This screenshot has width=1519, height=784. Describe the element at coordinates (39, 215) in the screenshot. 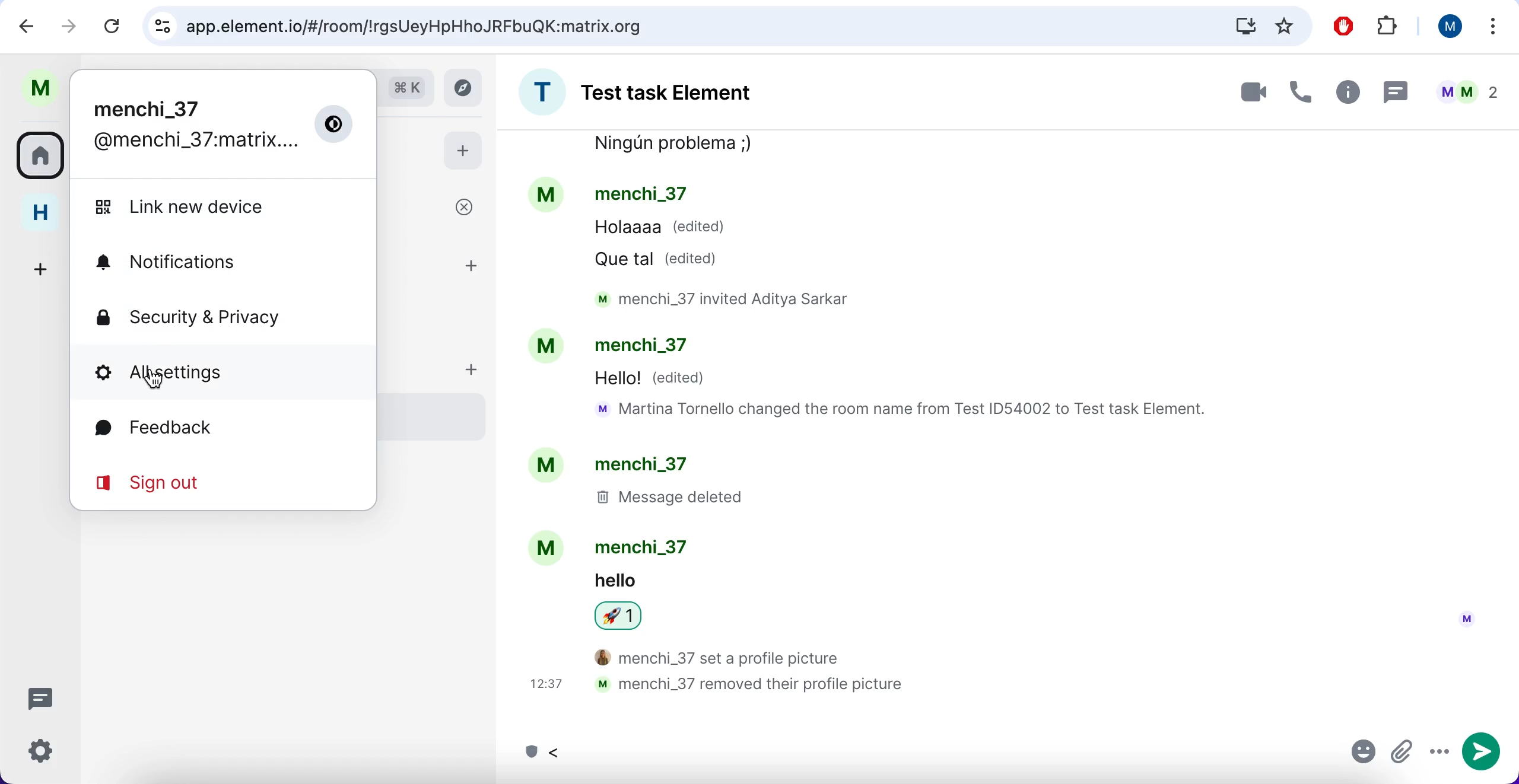

I see `home` at that location.